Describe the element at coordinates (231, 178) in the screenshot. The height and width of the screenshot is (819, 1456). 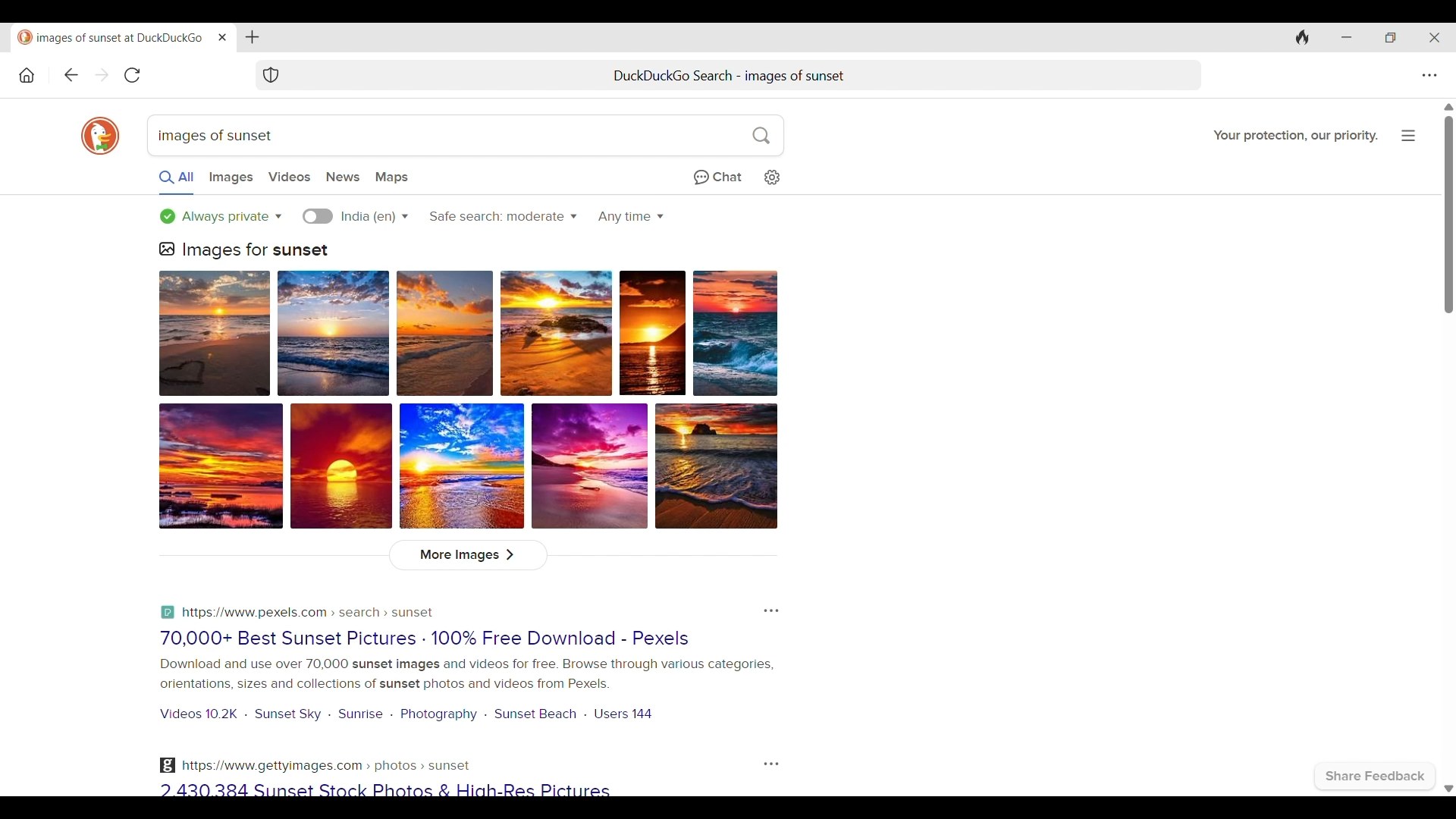
I see `Search images` at that location.